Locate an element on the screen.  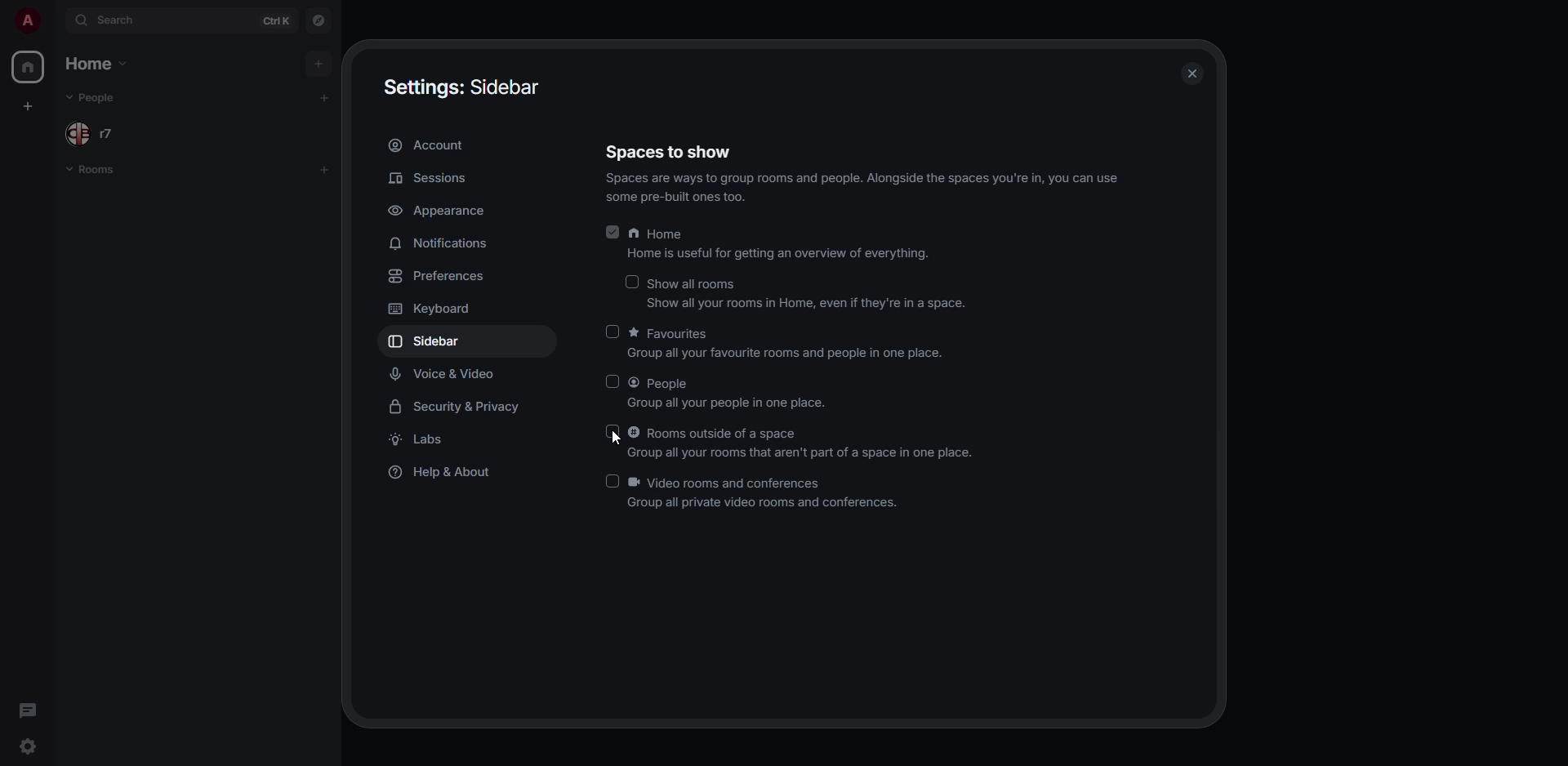
sessions is located at coordinates (430, 180).